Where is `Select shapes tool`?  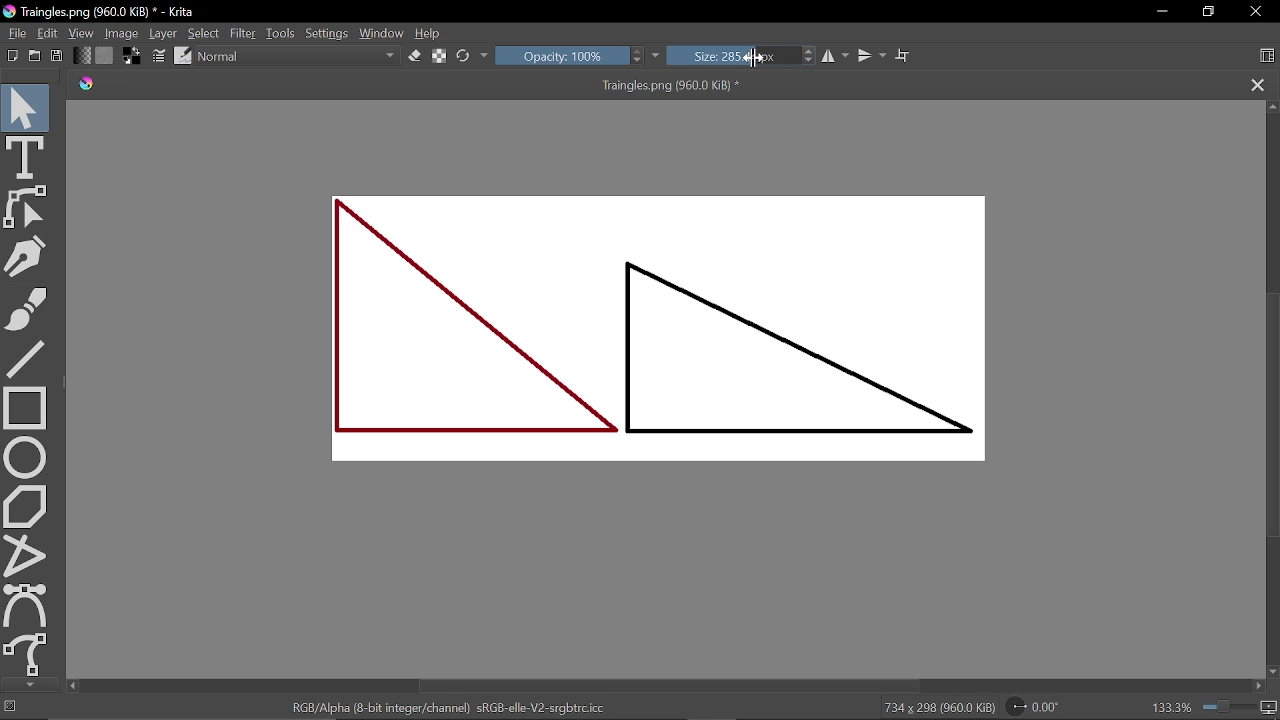
Select shapes tool is located at coordinates (25, 107).